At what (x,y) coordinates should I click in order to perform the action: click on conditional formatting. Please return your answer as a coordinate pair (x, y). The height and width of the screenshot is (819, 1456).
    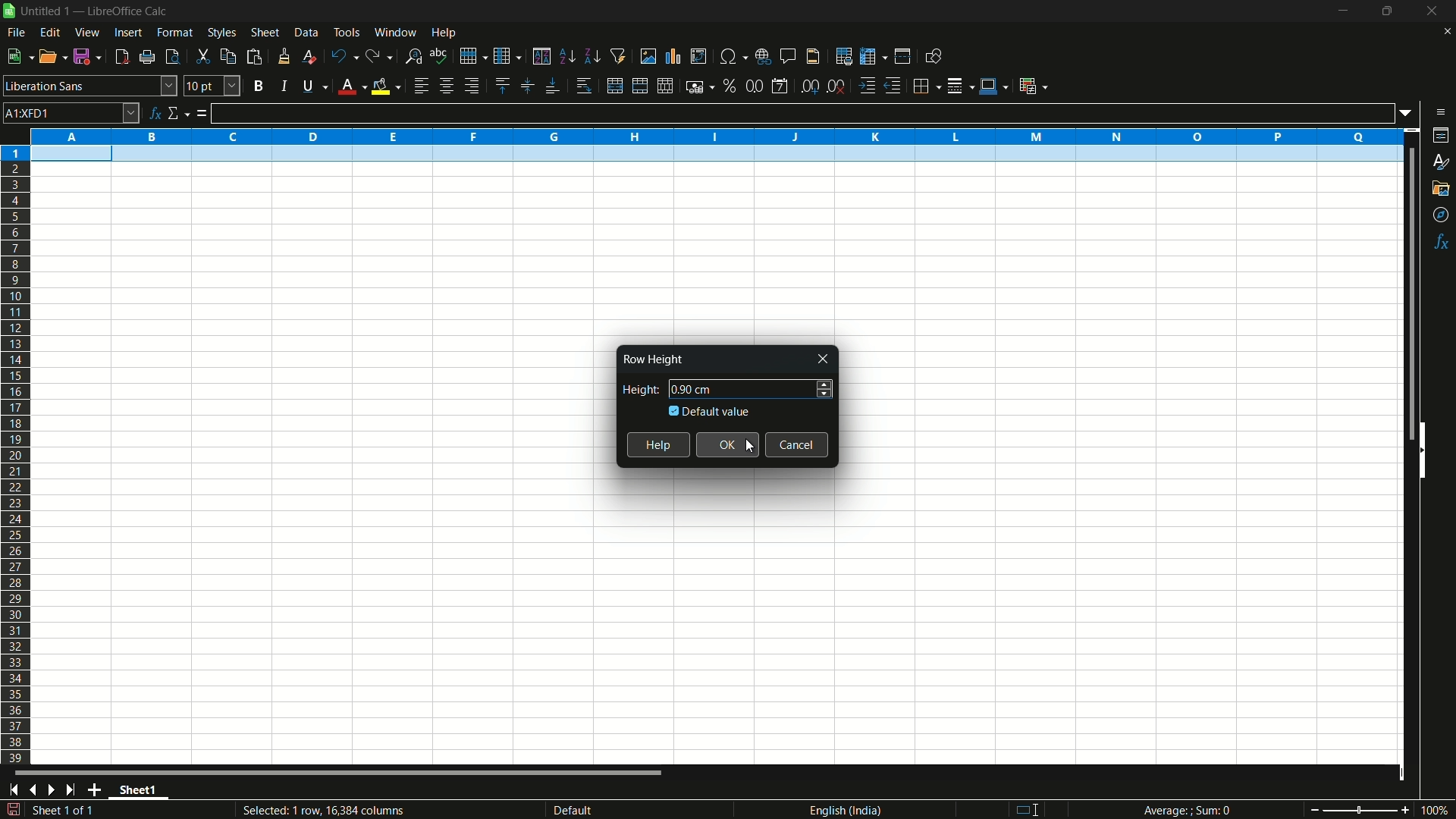
    Looking at the image, I should click on (1032, 86).